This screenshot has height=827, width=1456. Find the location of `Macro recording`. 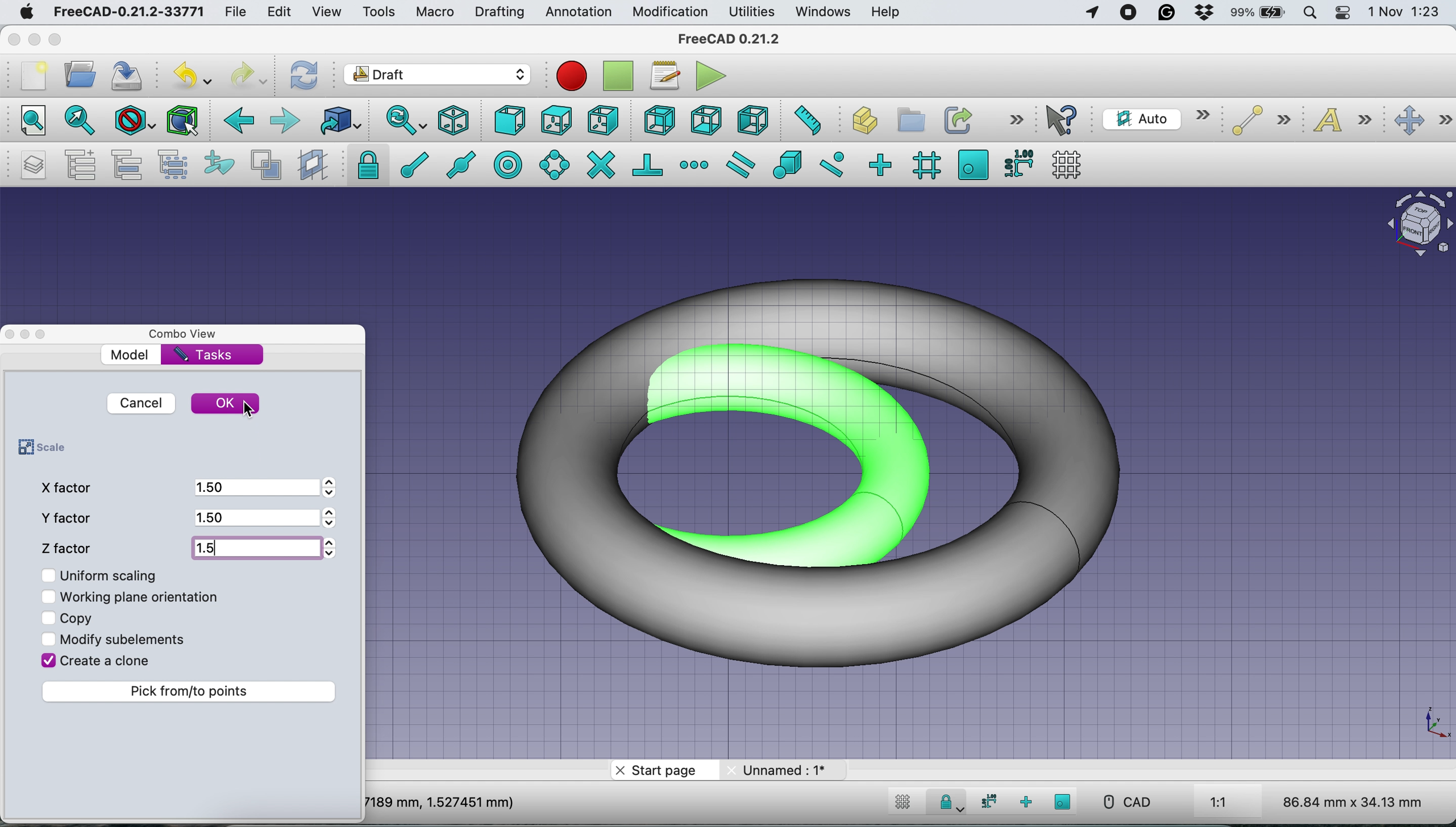

Macro recording is located at coordinates (571, 76).